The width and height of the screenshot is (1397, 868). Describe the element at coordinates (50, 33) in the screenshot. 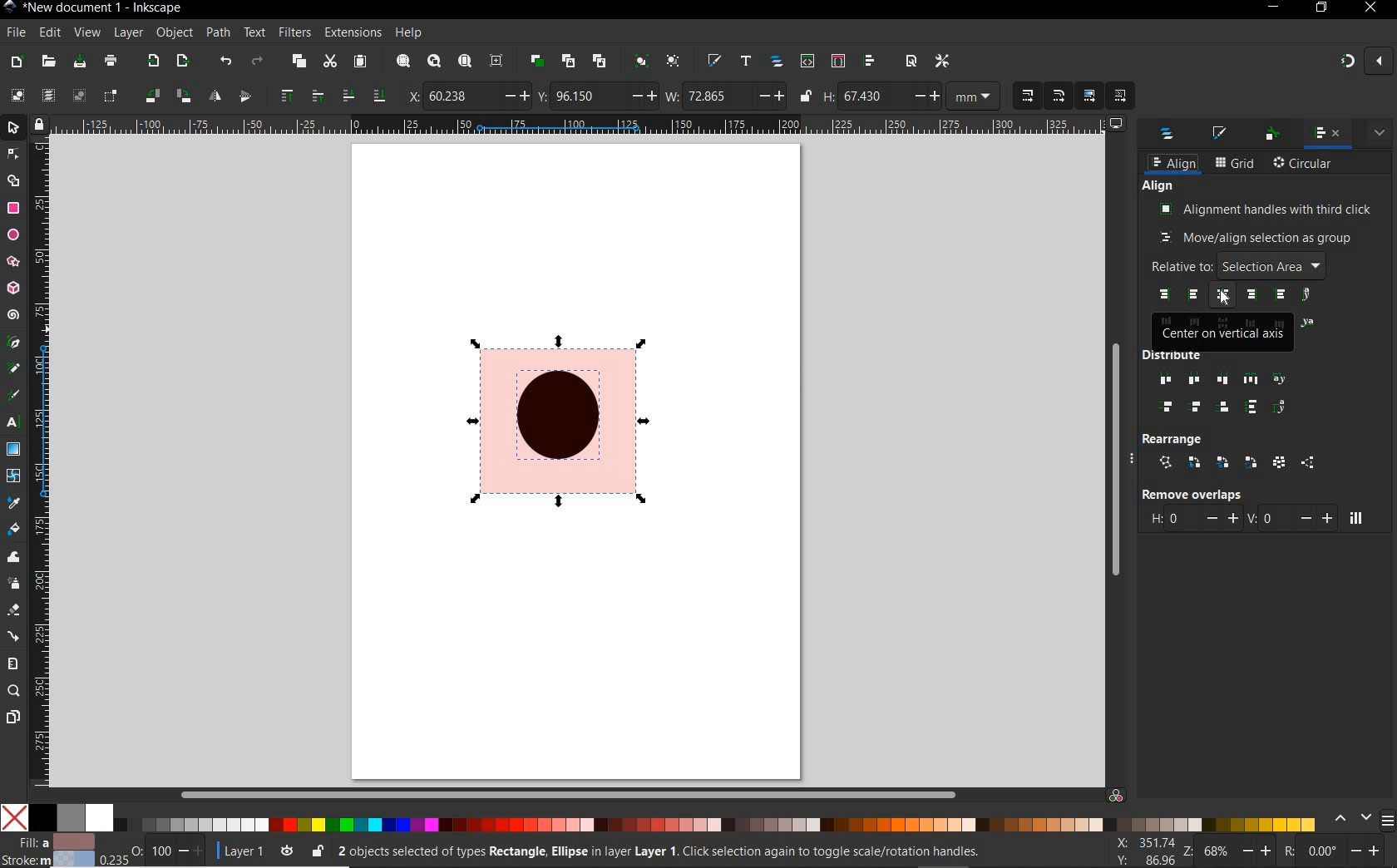

I see `edit` at that location.